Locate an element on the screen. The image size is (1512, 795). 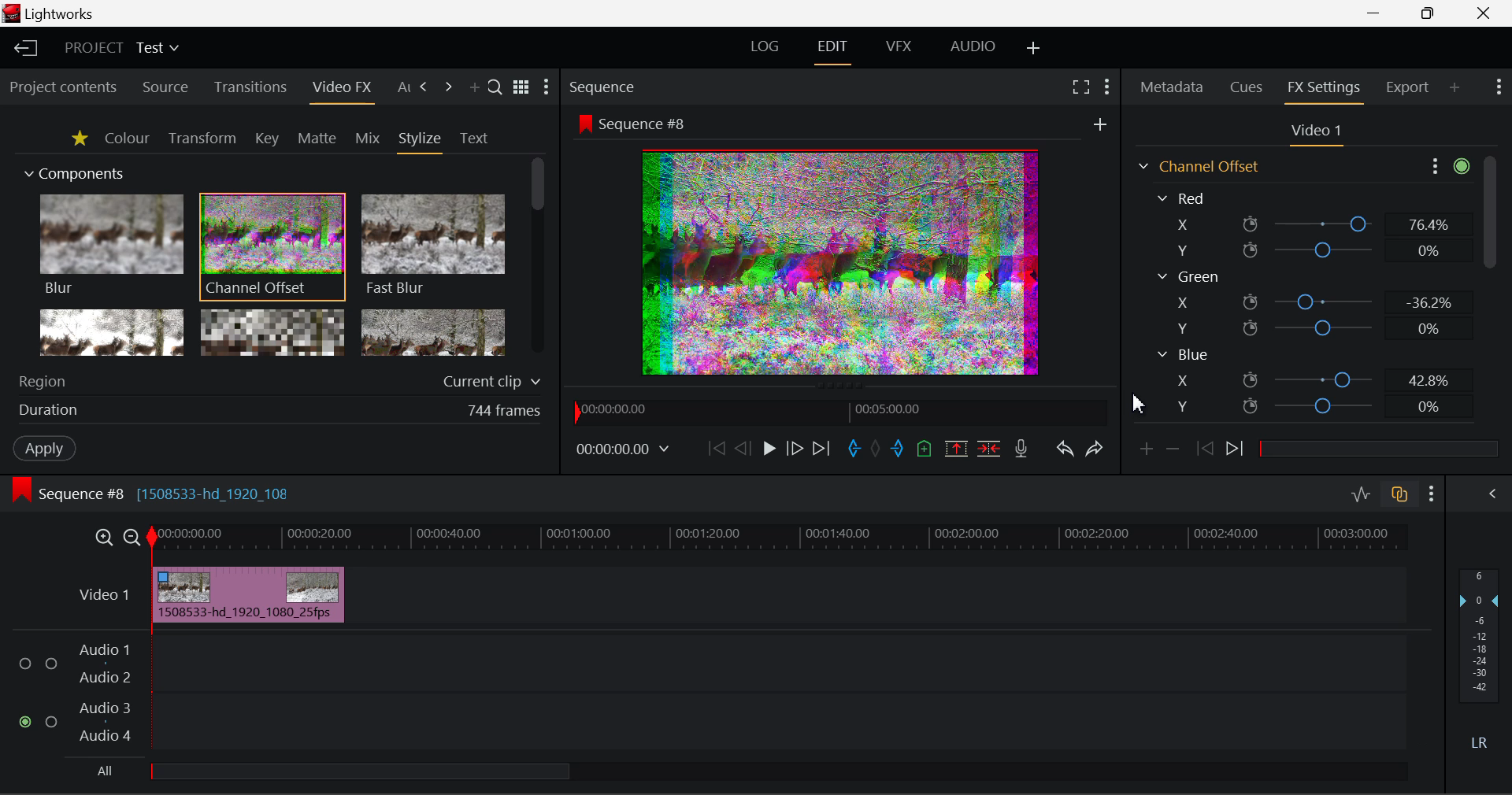
Fast Blur is located at coordinates (434, 246).